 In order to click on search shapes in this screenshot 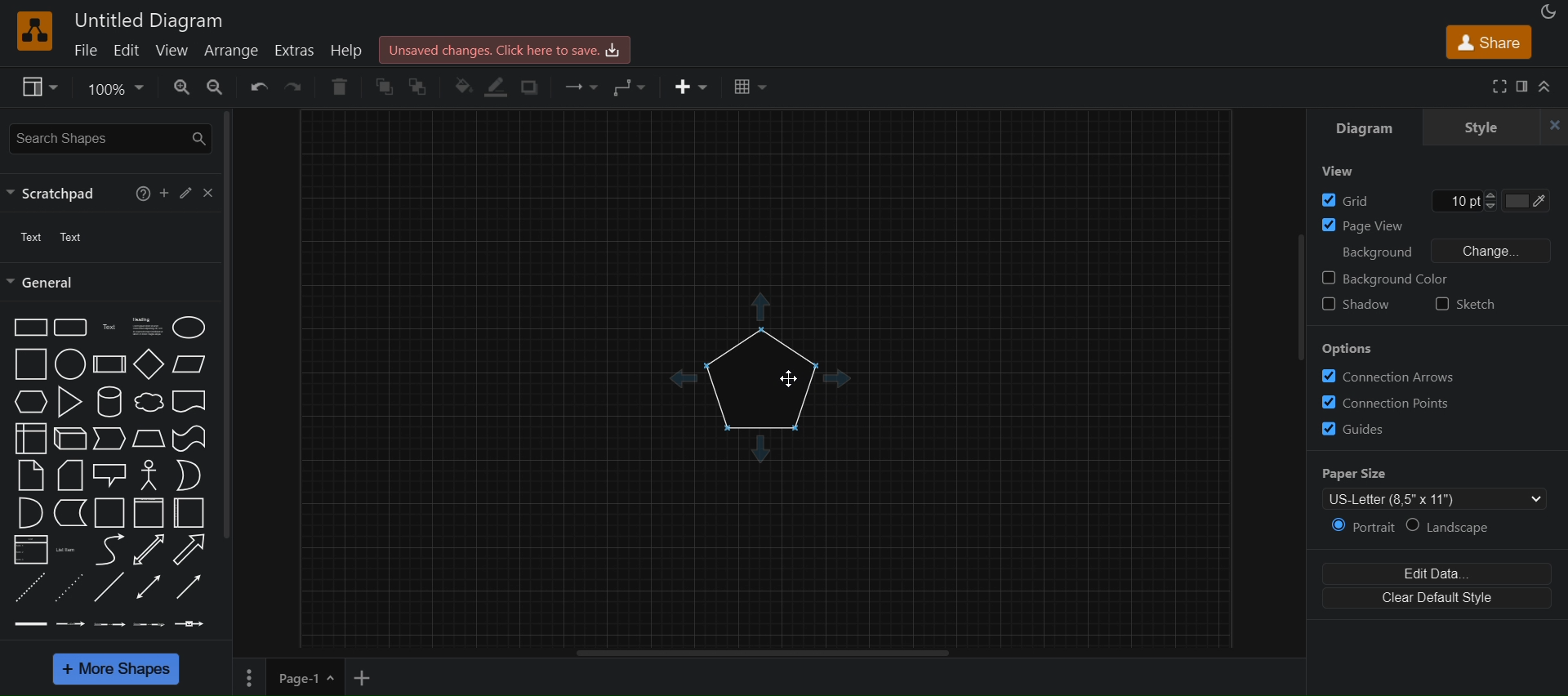, I will do `click(111, 139)`.